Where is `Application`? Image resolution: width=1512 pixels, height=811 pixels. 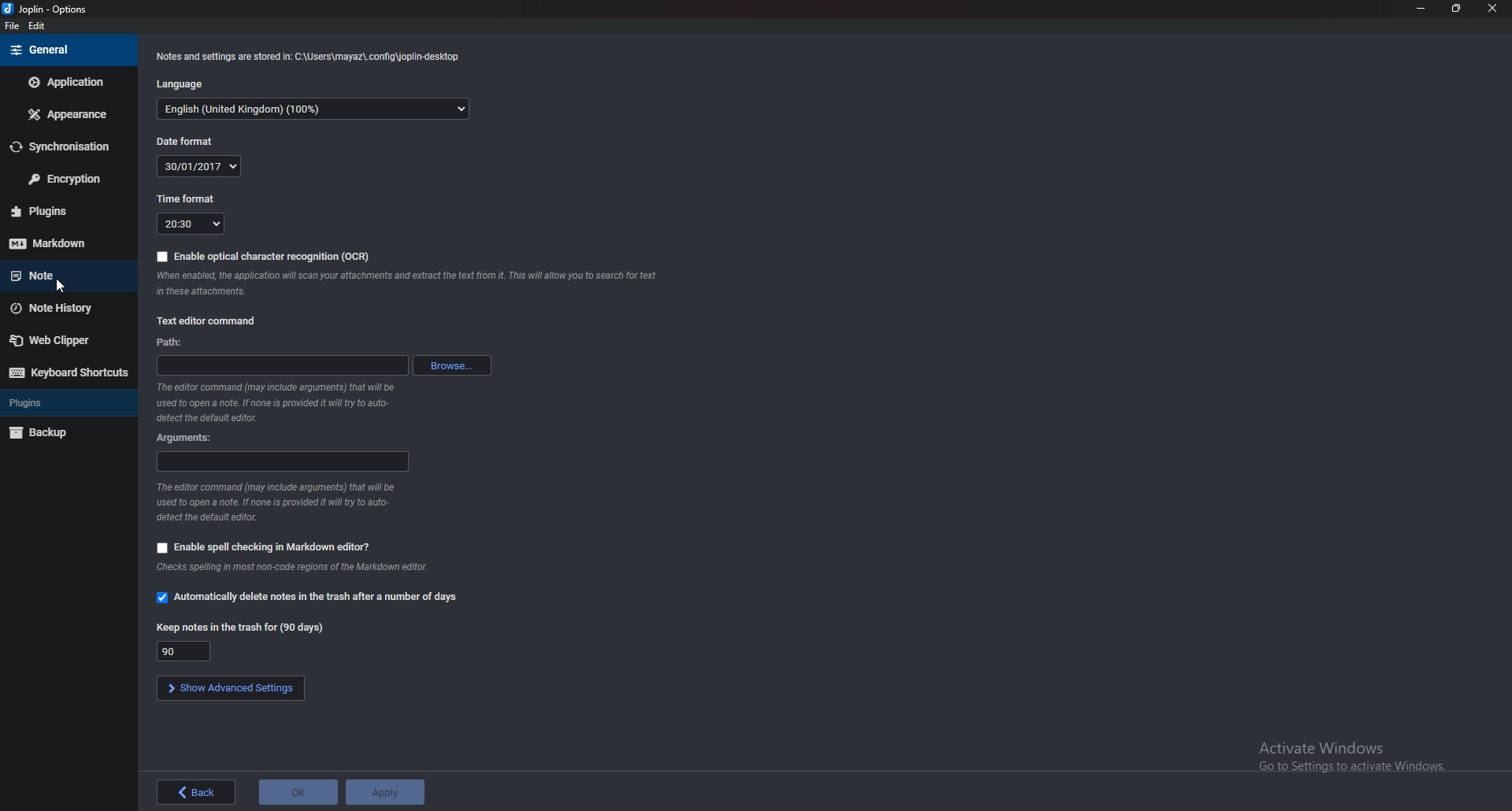 Application is located at coordinates (64, 81).